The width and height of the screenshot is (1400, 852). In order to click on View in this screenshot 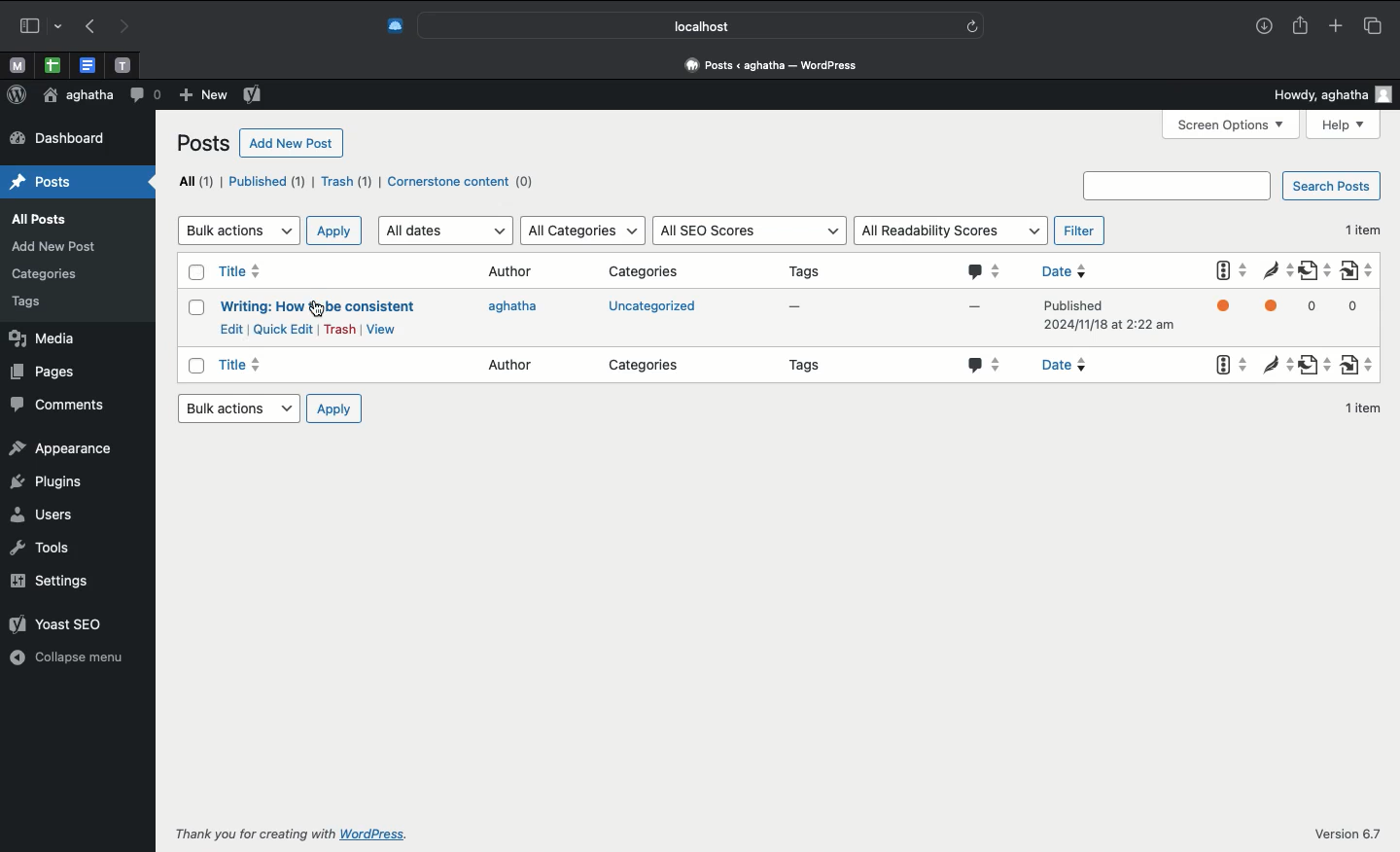, I will do `click(380, 329)`.